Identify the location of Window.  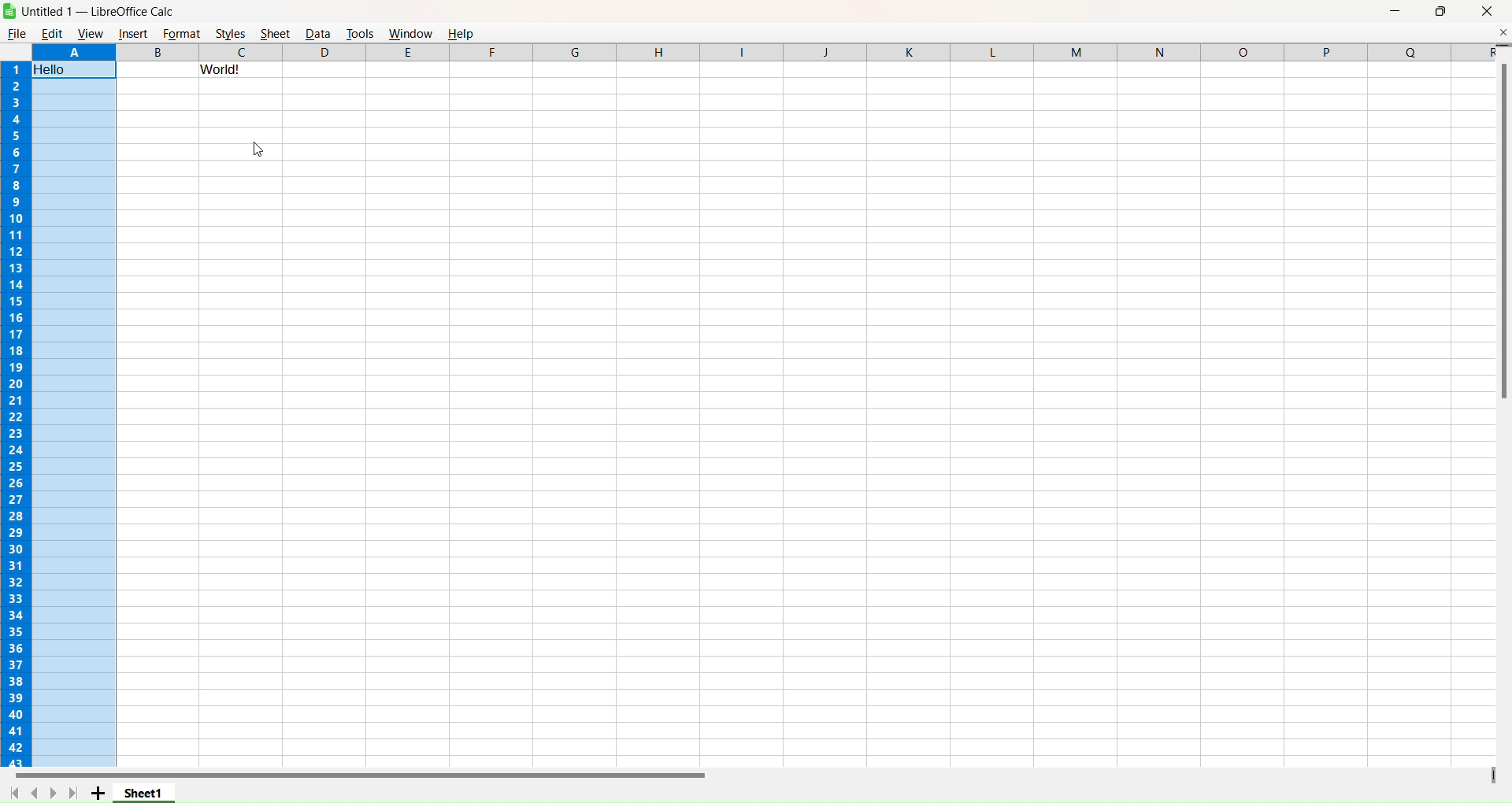
(410, 32).